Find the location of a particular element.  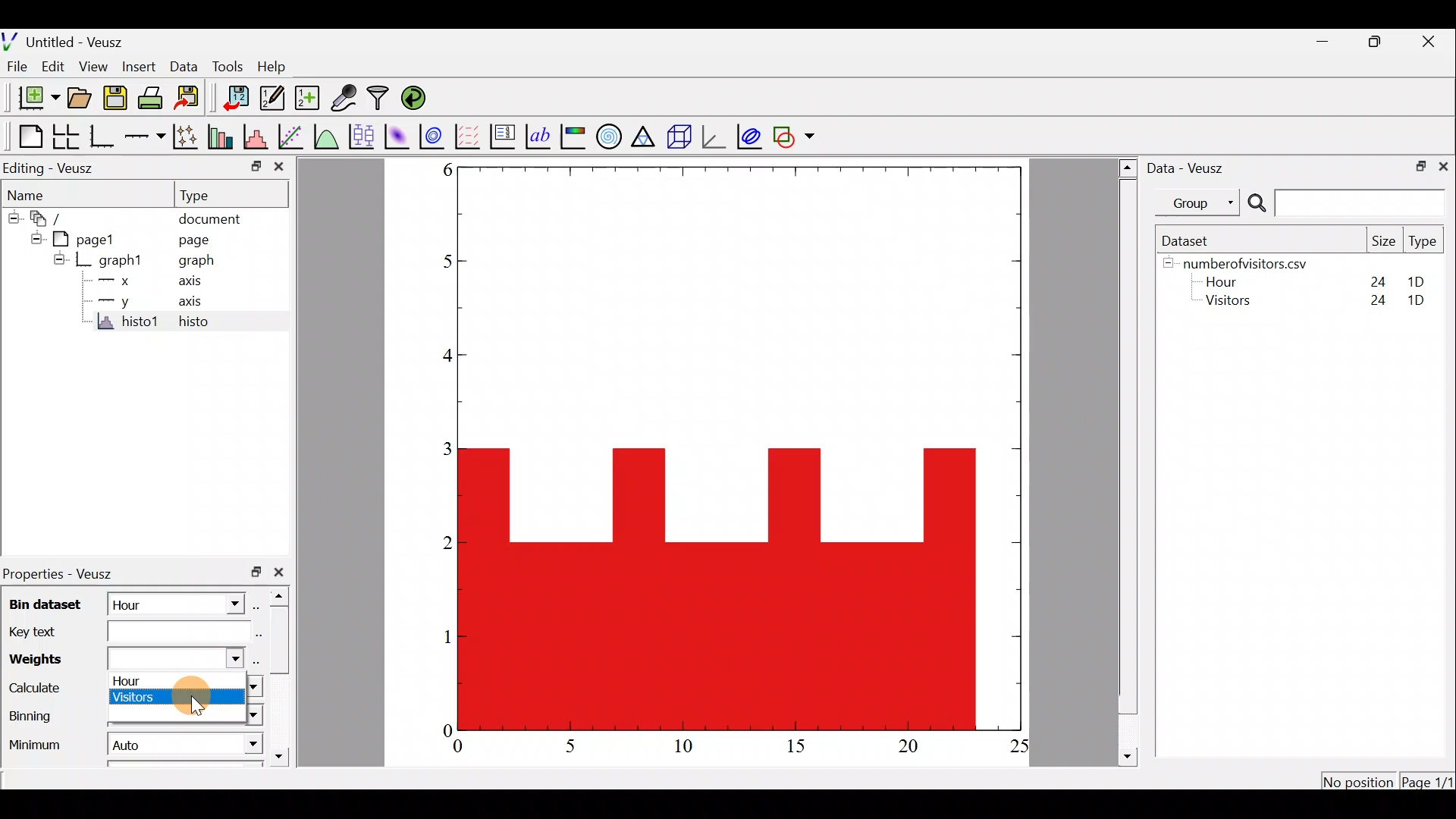

No position is located at coordinates (1359, 780).